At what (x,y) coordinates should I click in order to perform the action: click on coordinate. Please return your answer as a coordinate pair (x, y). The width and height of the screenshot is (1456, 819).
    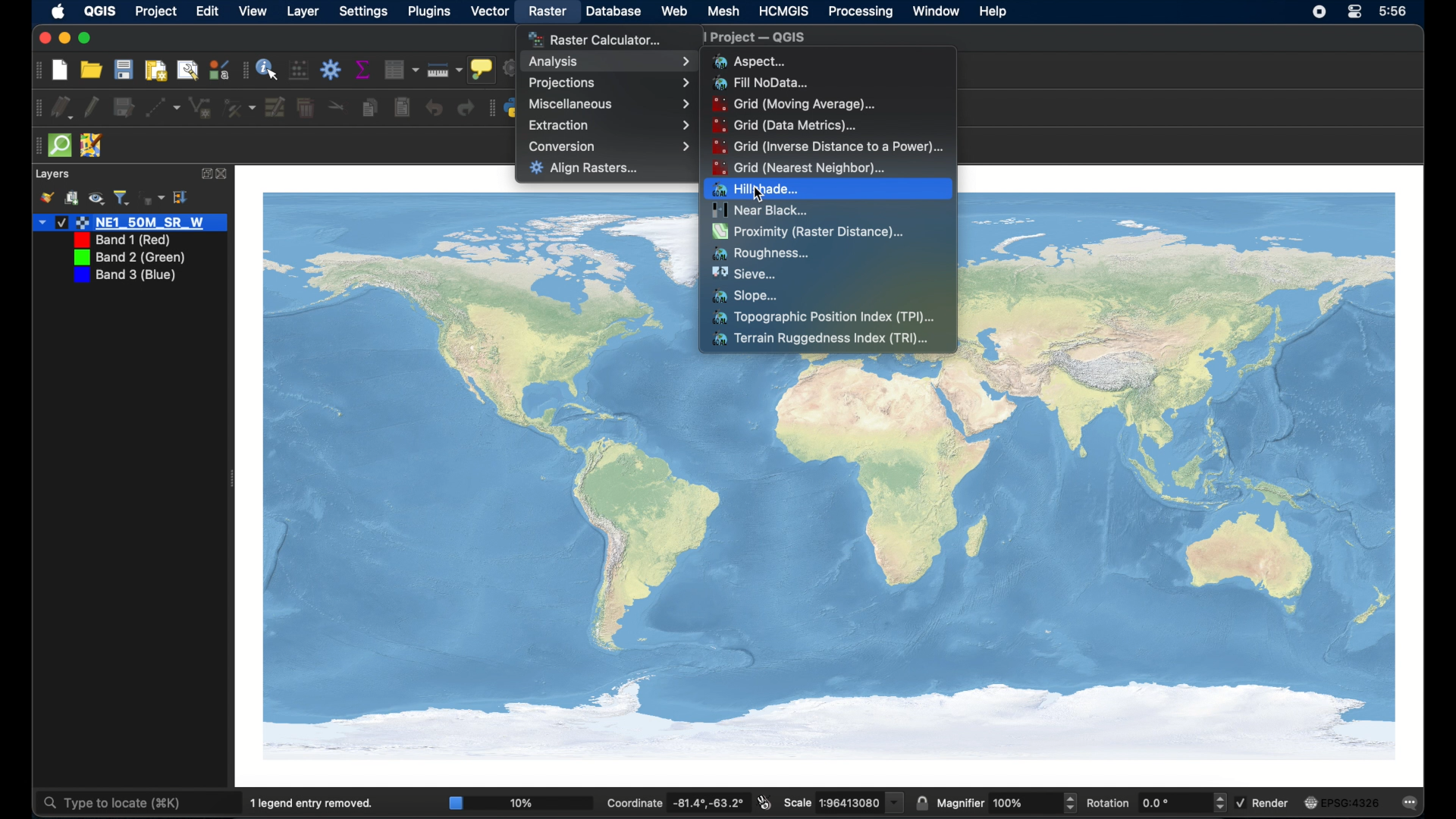
    Looking at the image, I should click on (675, 802).